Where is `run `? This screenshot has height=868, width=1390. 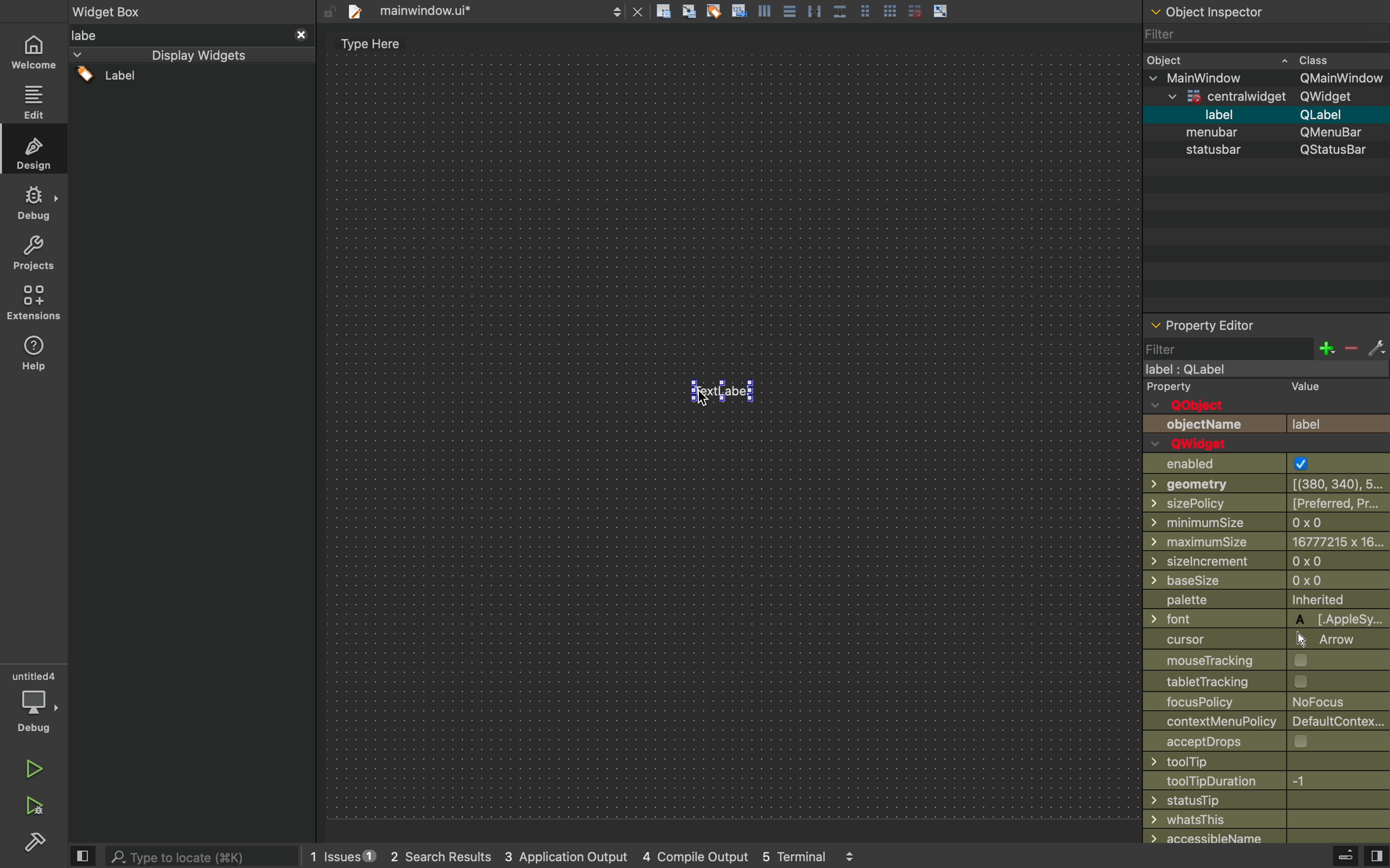 run  is located at coordinates (31, 767).